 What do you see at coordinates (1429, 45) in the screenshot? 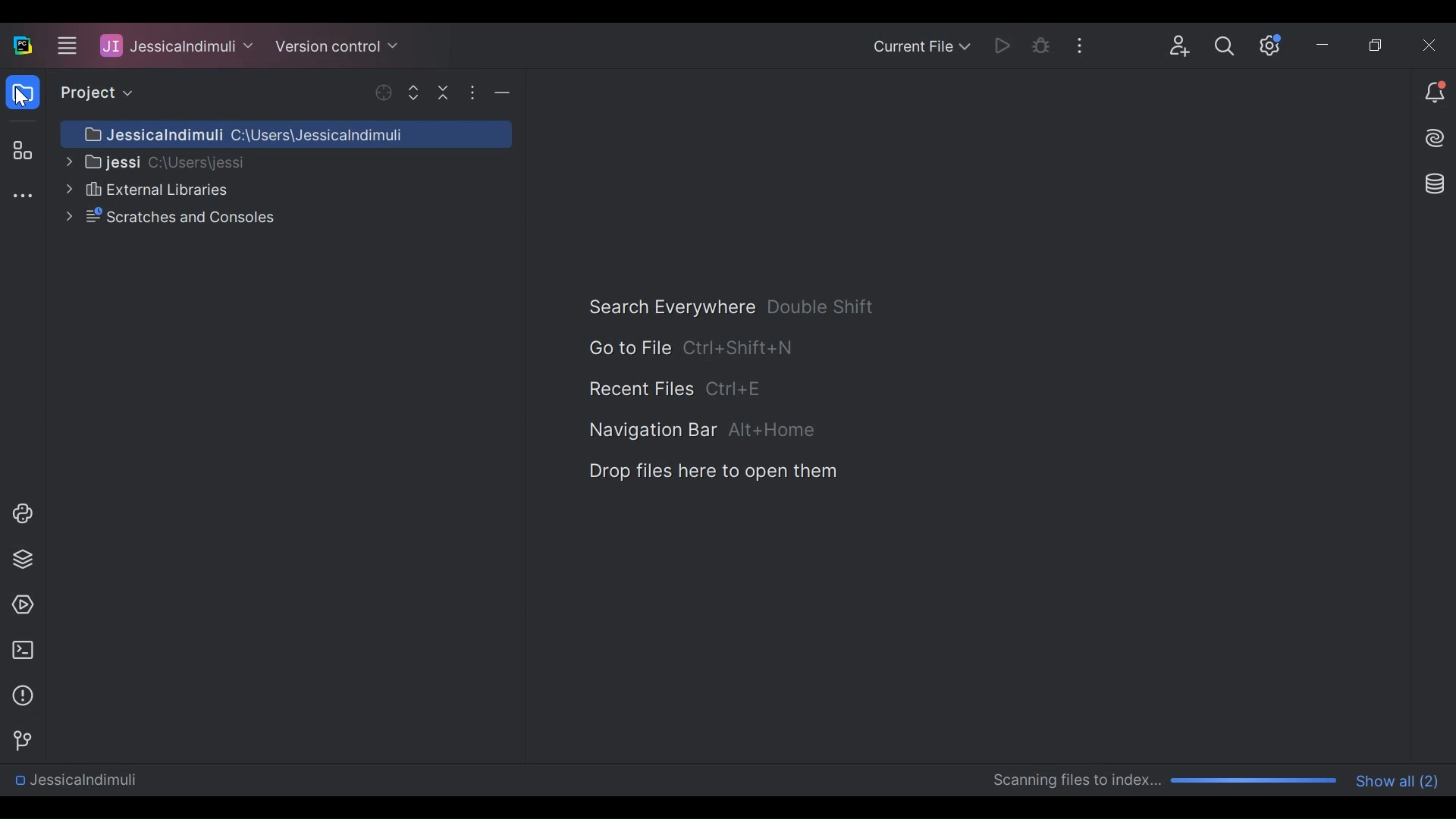
I see `Close` at bounding box center [1429, 45].